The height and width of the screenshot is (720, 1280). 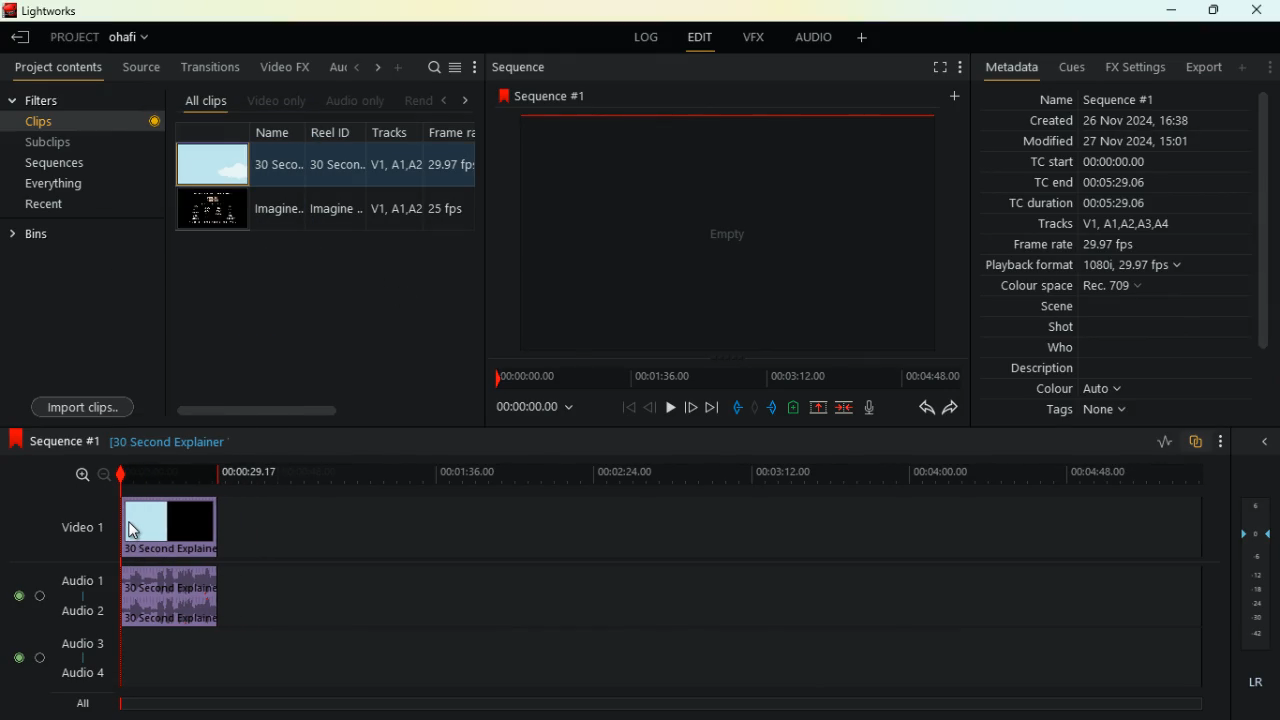 I want to click on cues, so click(x=1069, y=69).